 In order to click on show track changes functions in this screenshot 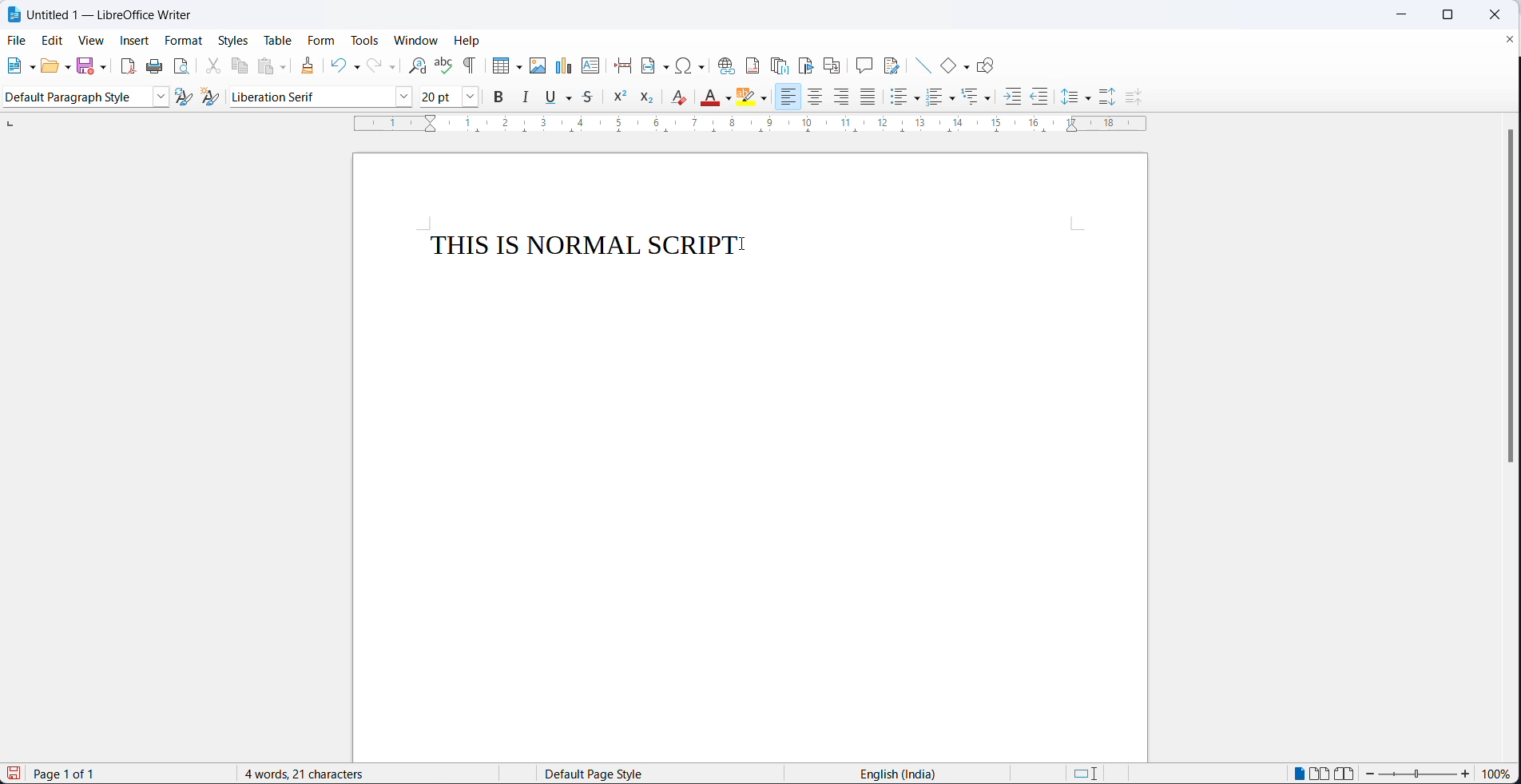, I will do `click(894, 63)`.